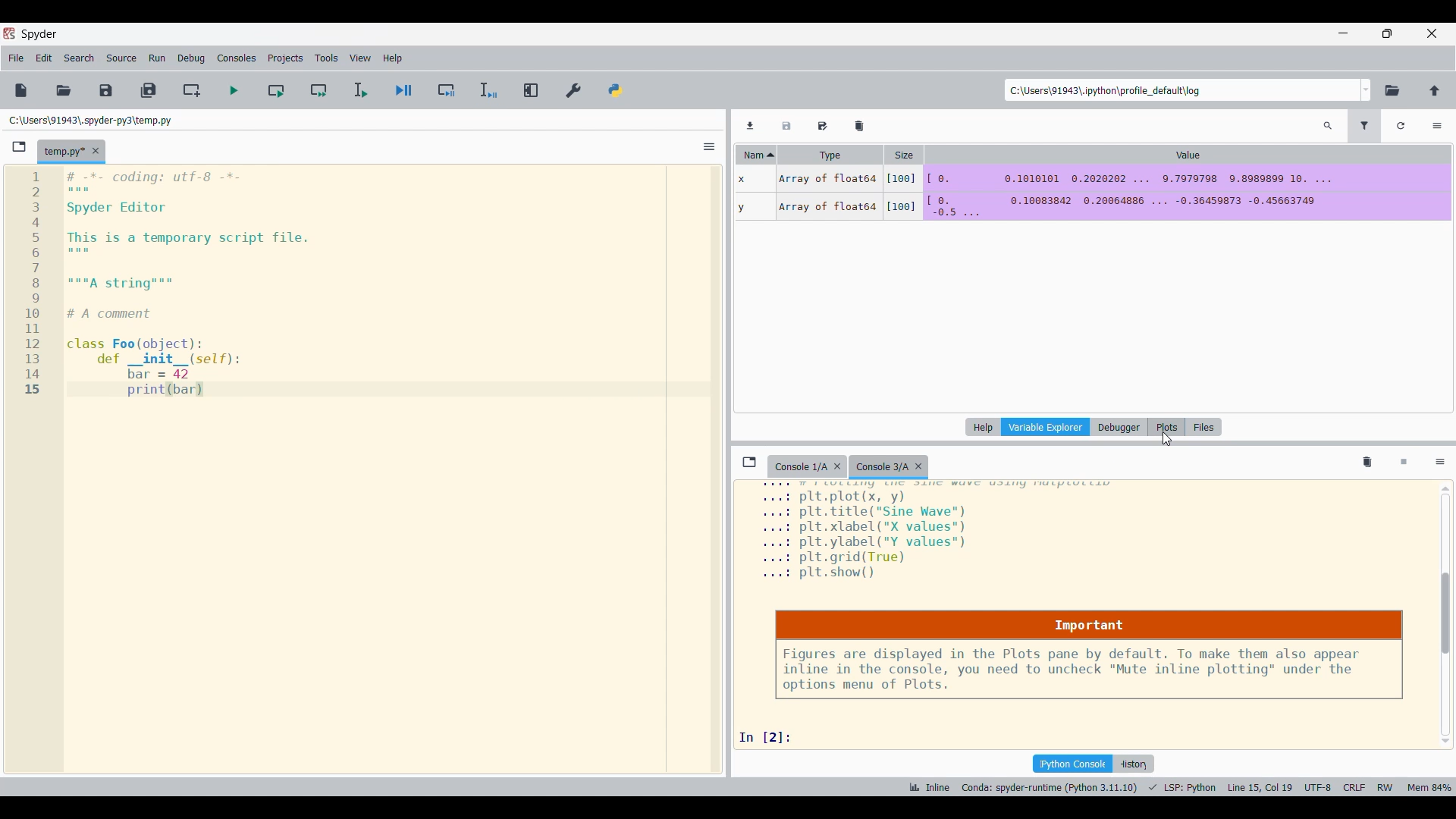  Describe the element at coordinates (1385, 786) in the screenshot. I see `RW` at that location.